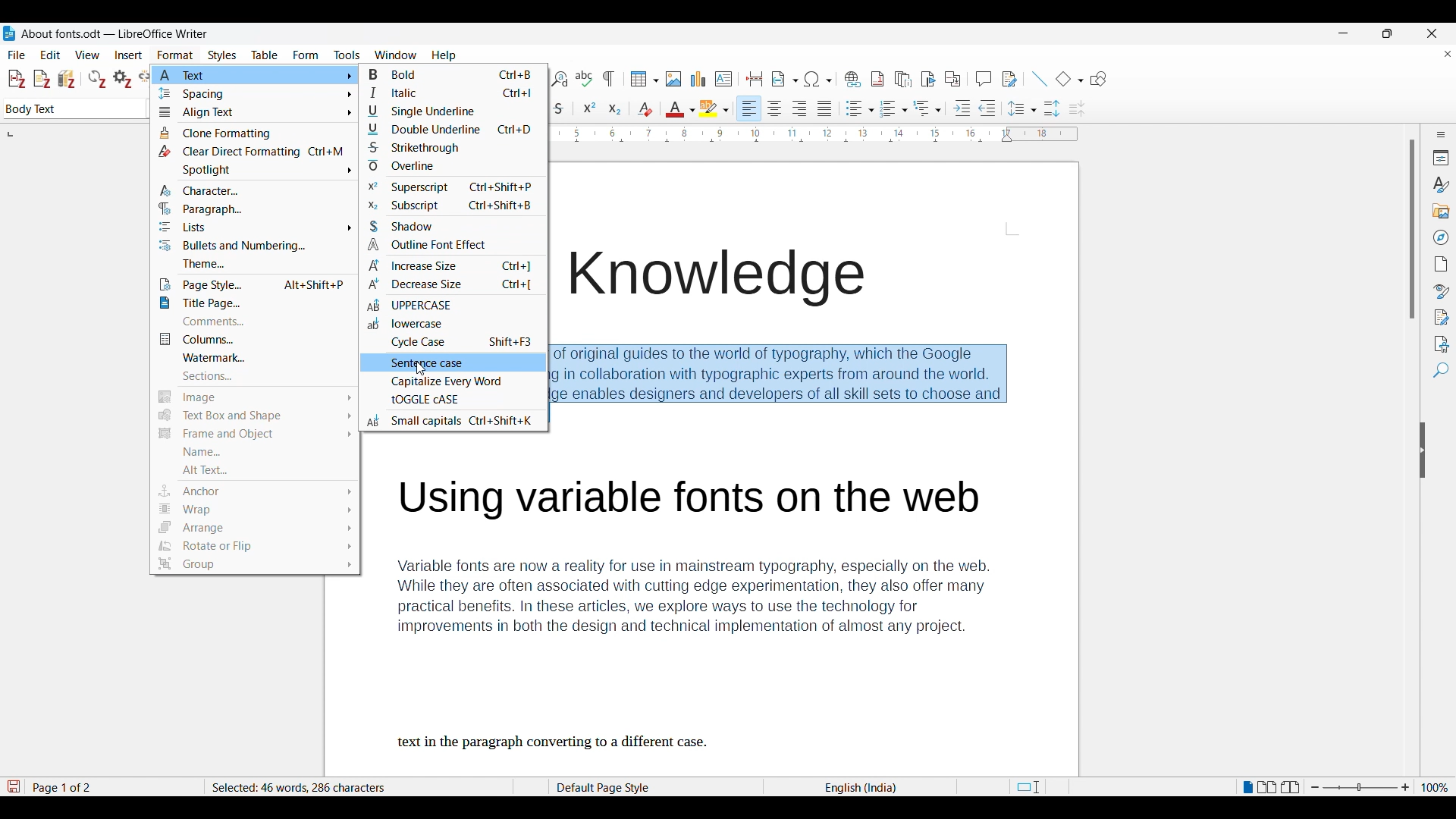 The height and width of the screenshot is (819, 1456). I want to click on Increase size, so click(453, 265).